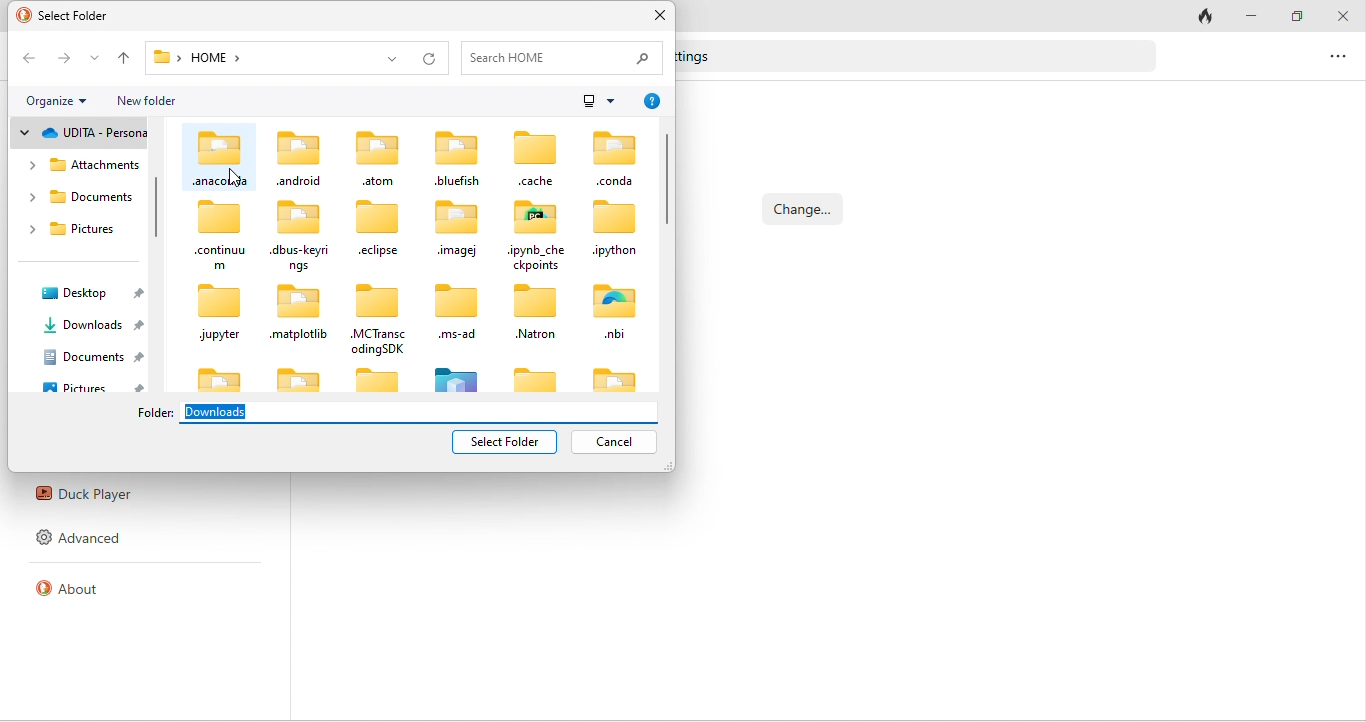 The width and height of the screenshot is (1366, 722). I want to click on documents, so click(94, 358).